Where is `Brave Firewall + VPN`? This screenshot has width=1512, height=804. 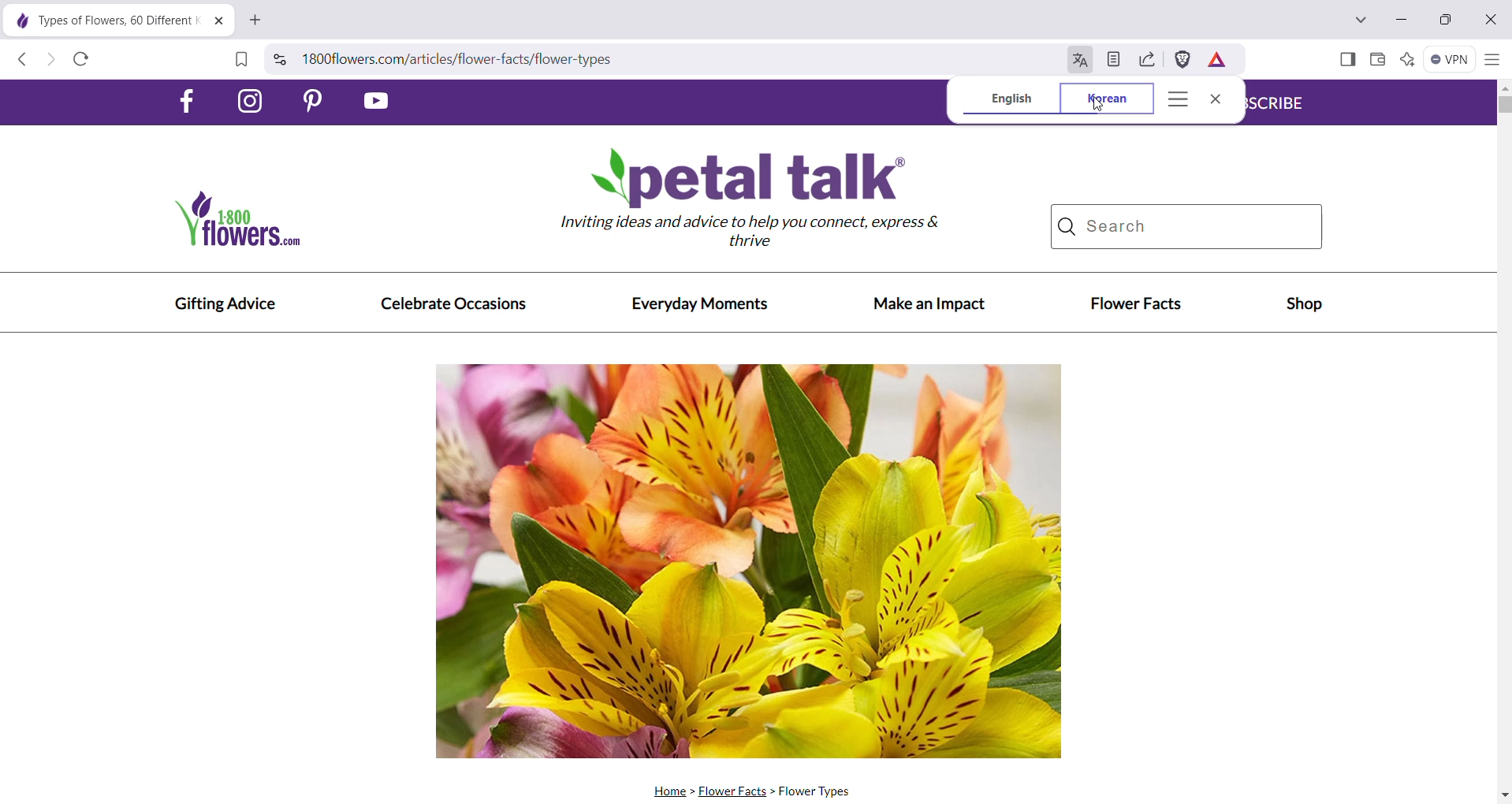
Brave Firewall + VPN is located at coordinates (1451, 58).